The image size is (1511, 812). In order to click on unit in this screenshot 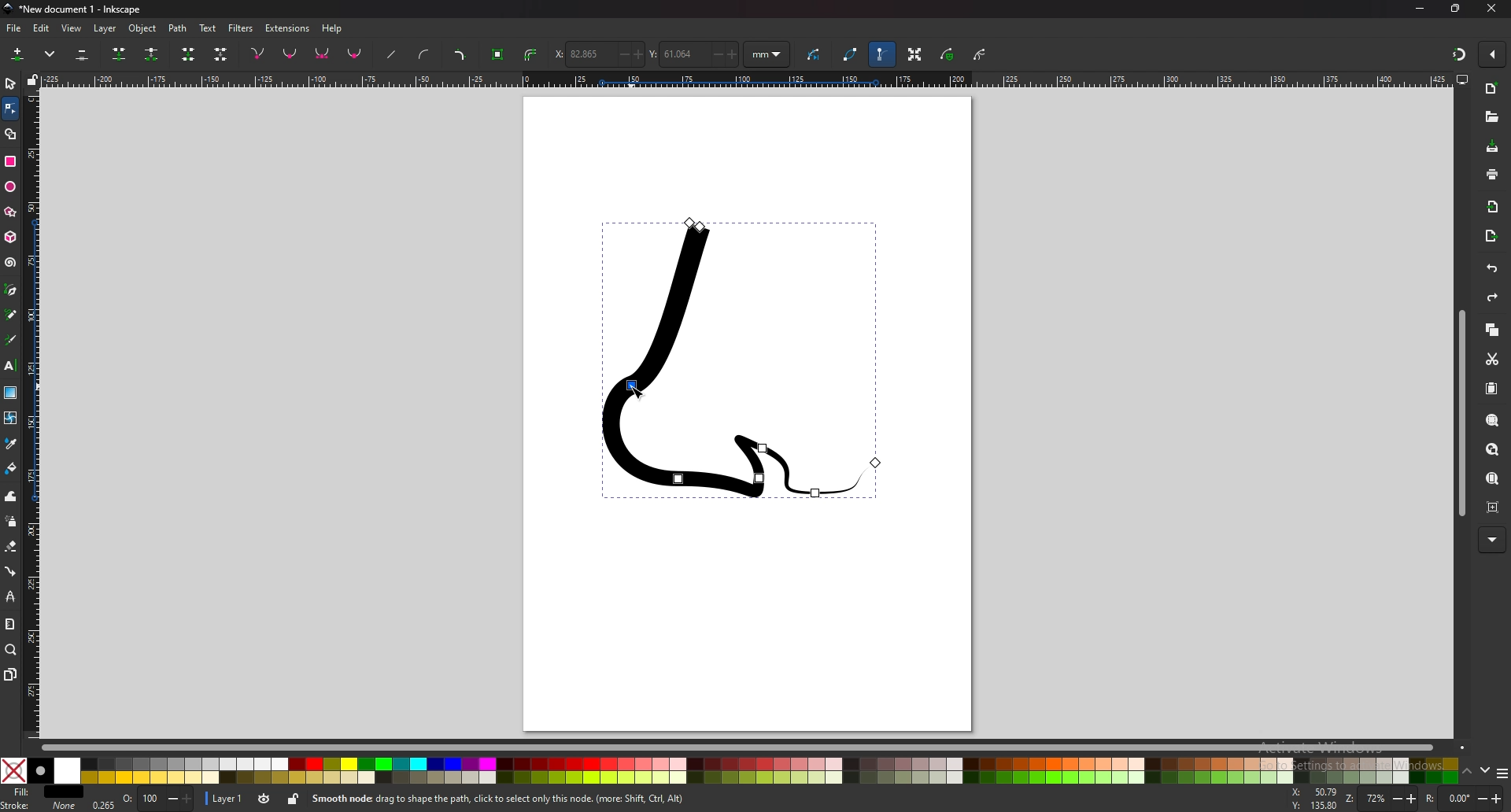, I will do `click(767, 55)`.